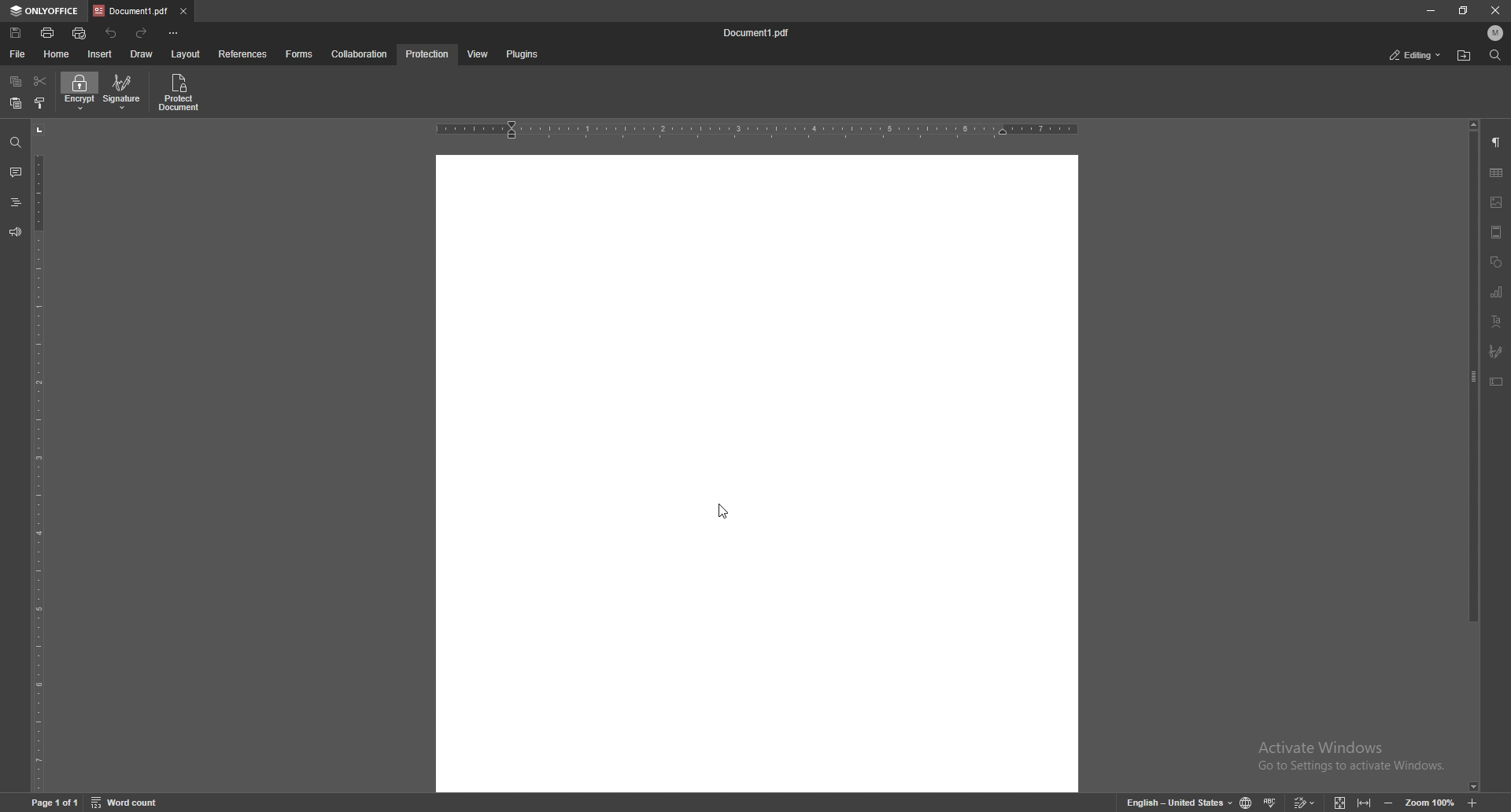  What do you see at coordinates (1496, 262) in the screenshot?
I see `shapes` at bounding box center [1496, 262].